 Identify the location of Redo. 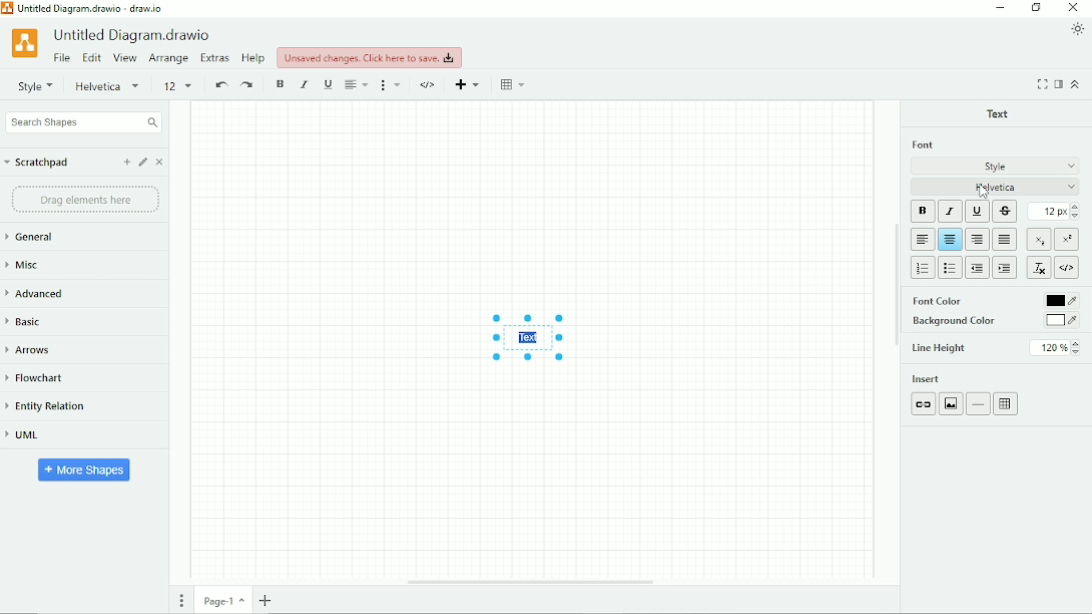
(250, 85).